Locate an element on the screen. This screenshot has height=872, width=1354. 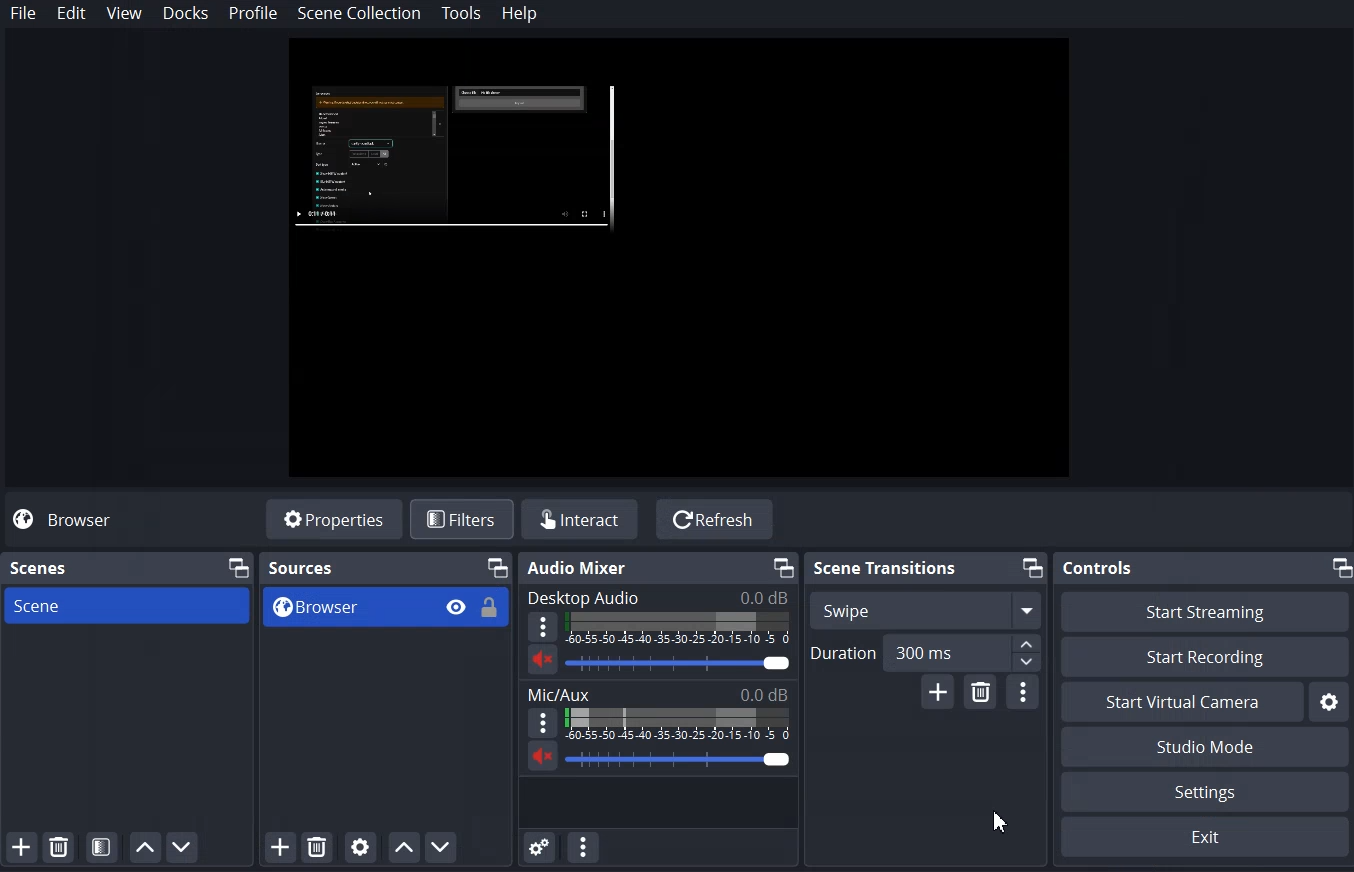
Volume is located at coordinates (542, 660).